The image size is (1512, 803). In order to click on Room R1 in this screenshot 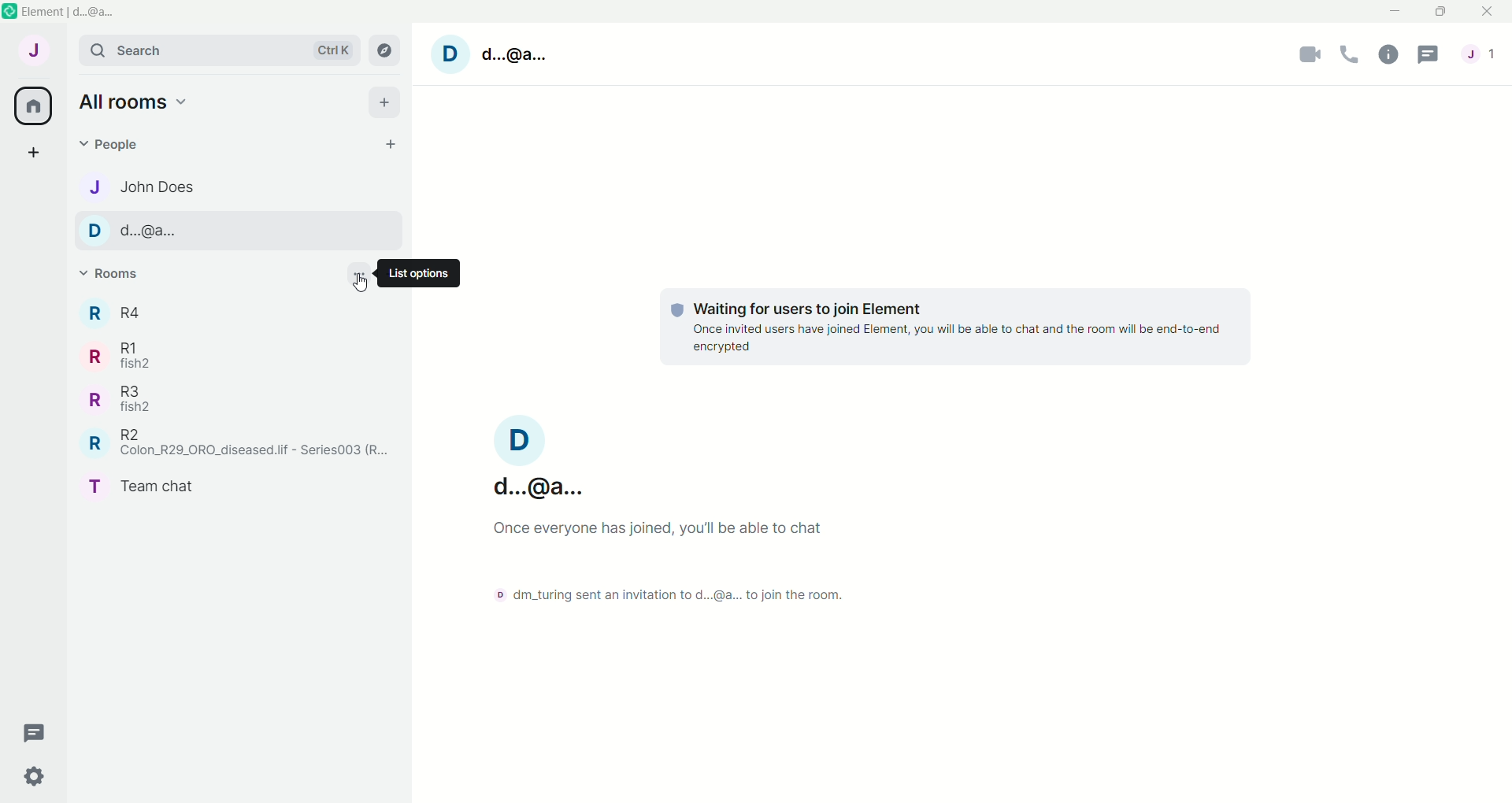, I will do `click(117, 354)`.